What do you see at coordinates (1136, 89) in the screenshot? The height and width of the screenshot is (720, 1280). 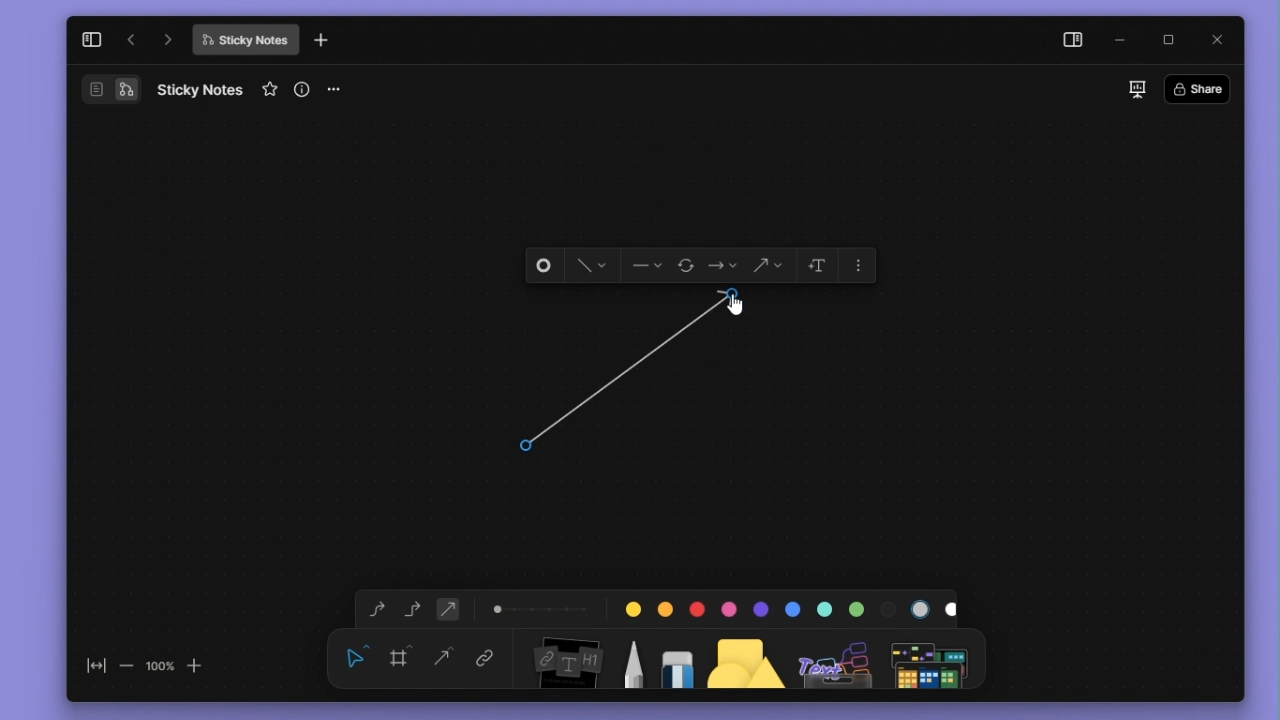 I see `slideshow` at bounding box center [1136, 89].